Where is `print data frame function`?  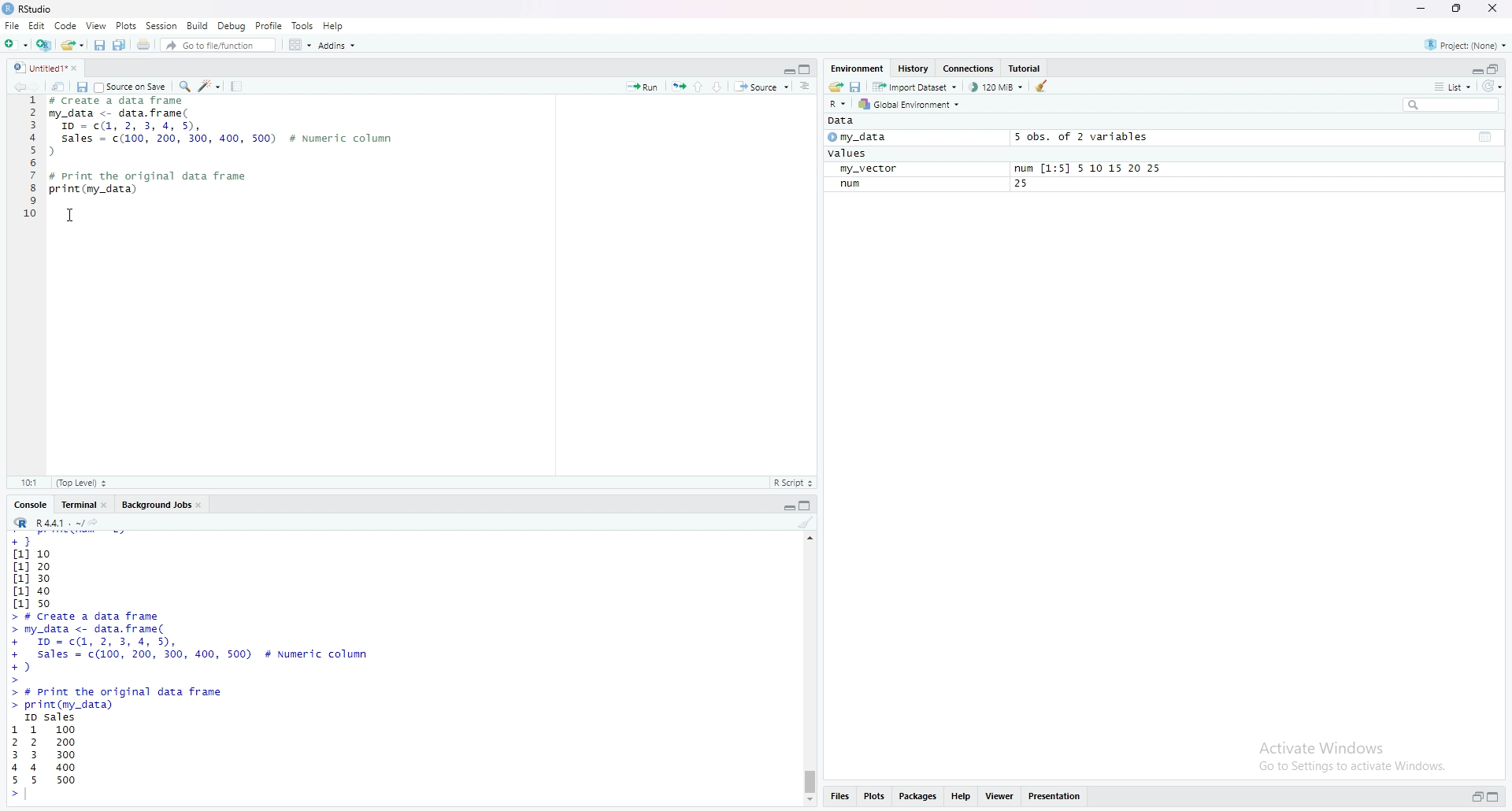 print data frame function is located at coordinates (132, 698).